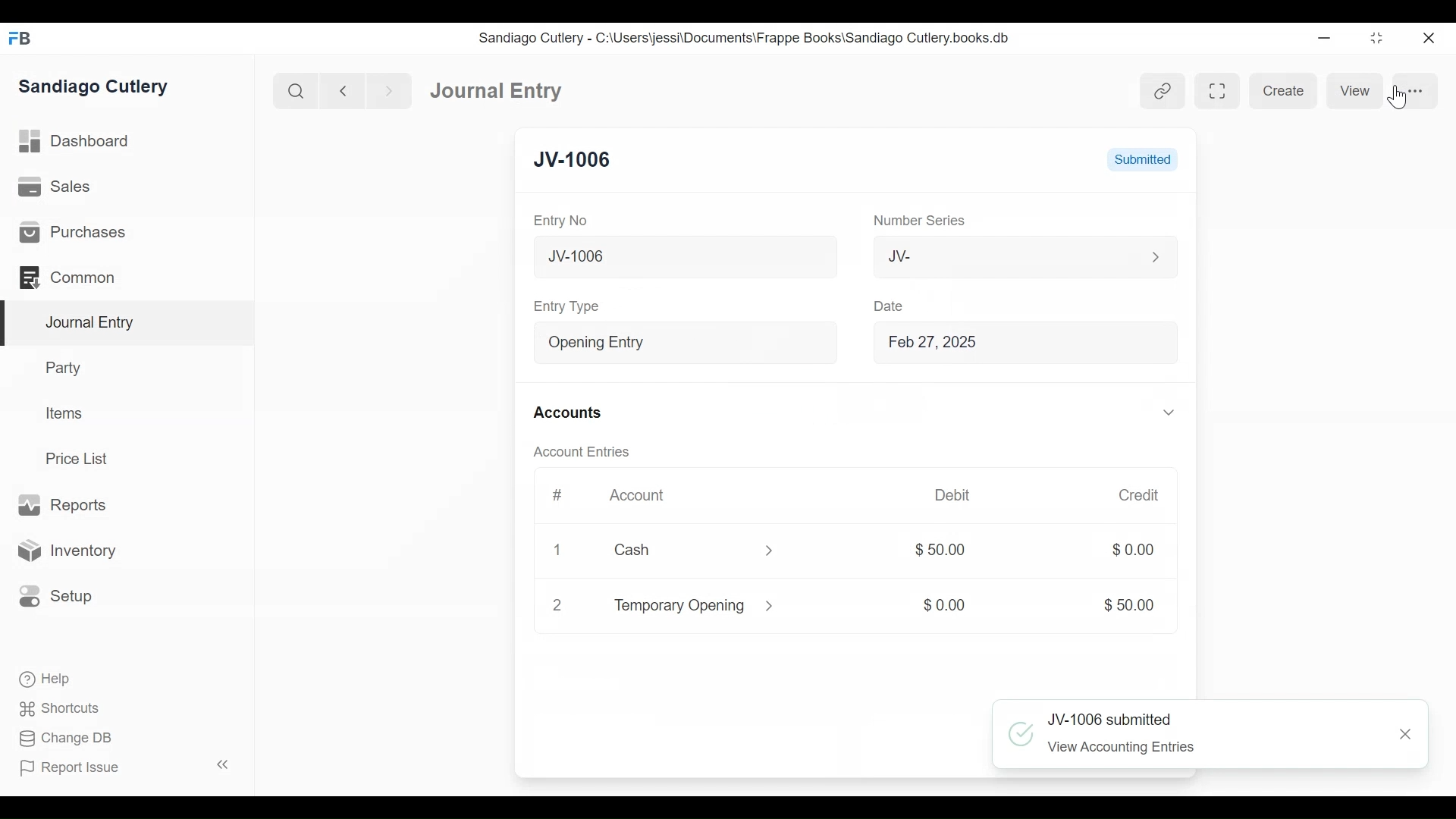 Image resolution: width=1456 pixels, height=819 pixels. What do you see at coordinates (676, 608) in the screenshot?
I see `Temporary Opening` at bounding box center [676, 608].